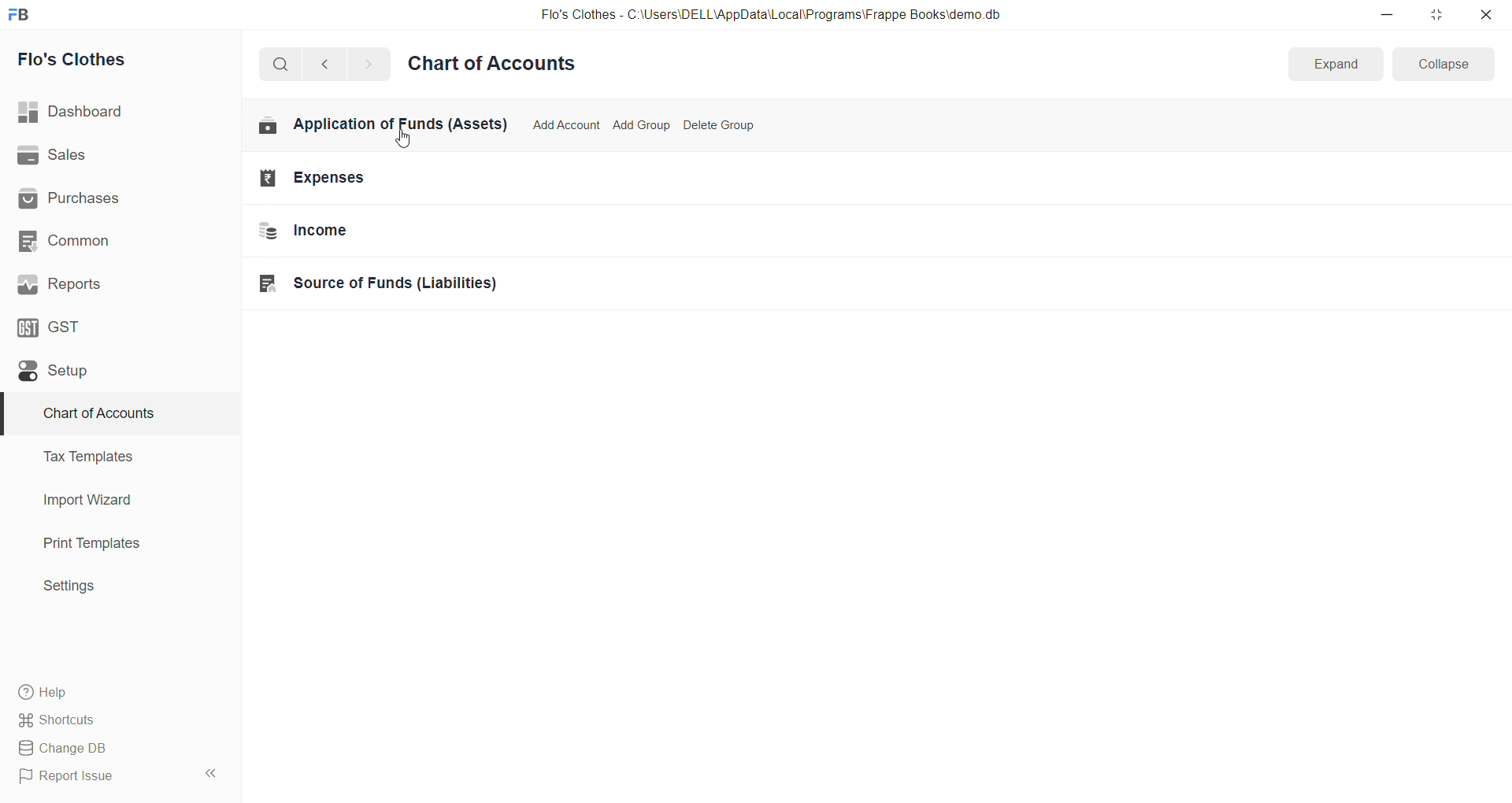 The image size is (1512, 803). Describe the element at coordinates (116, 112) in the screenshot. I see `Dashboard` at that location.